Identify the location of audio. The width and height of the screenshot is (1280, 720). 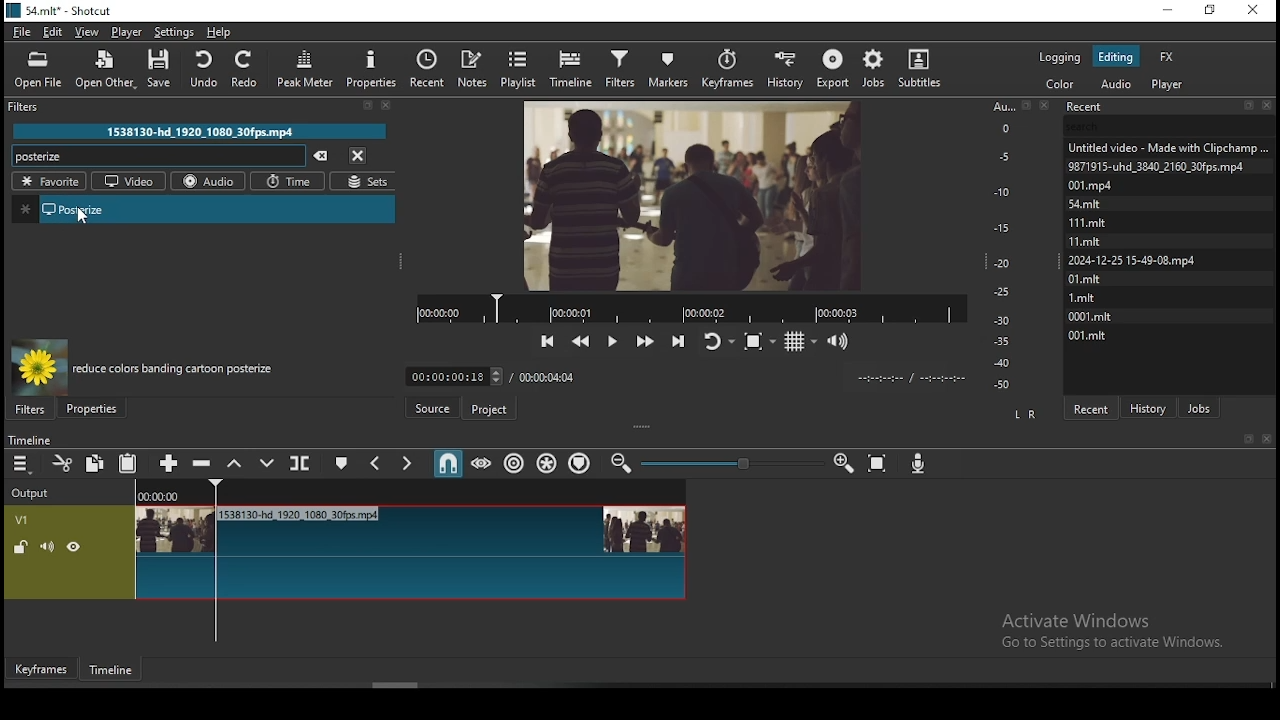
(1118, 87).